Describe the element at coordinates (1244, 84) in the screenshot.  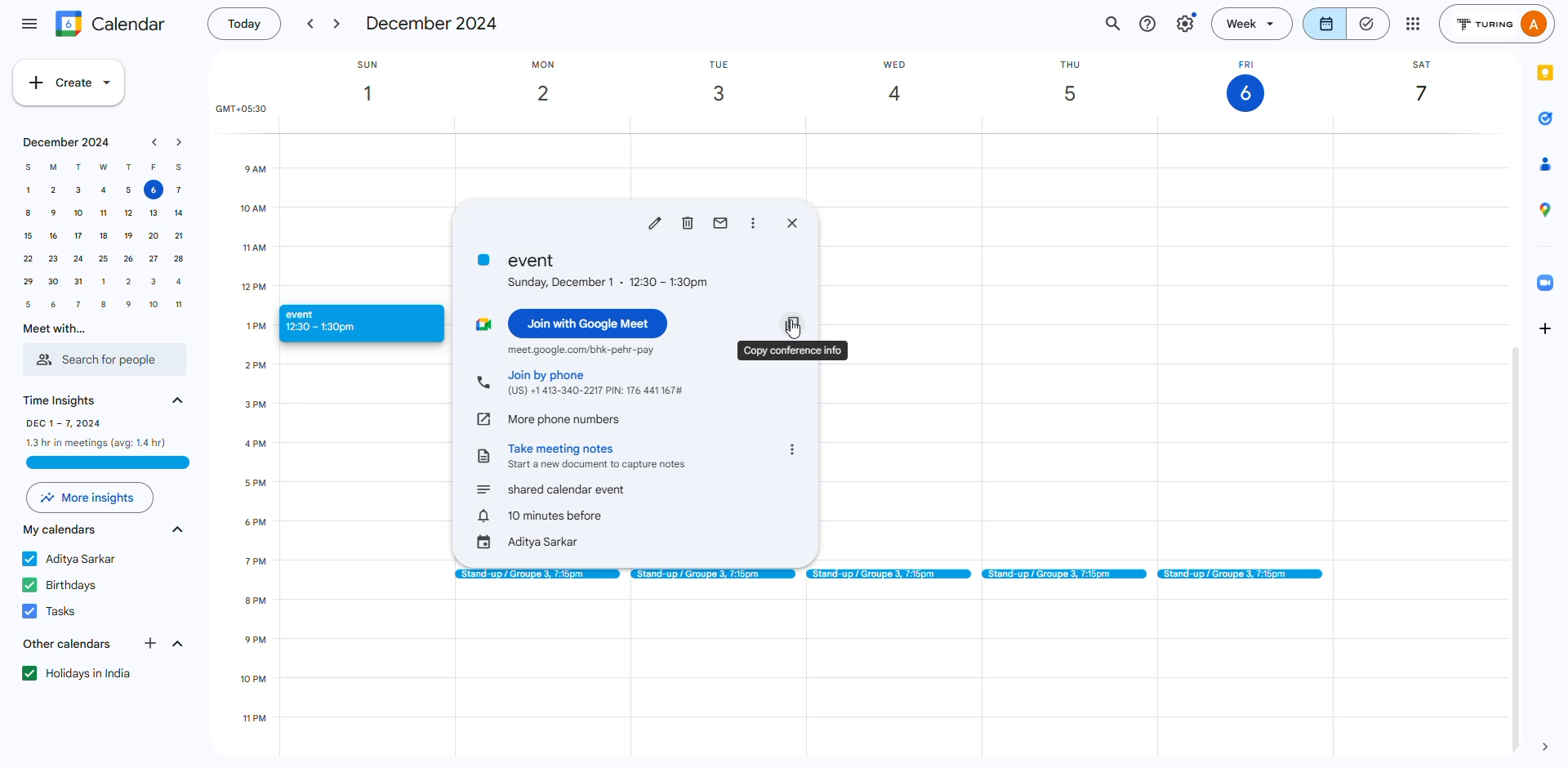
I see `fri 6` at that location.